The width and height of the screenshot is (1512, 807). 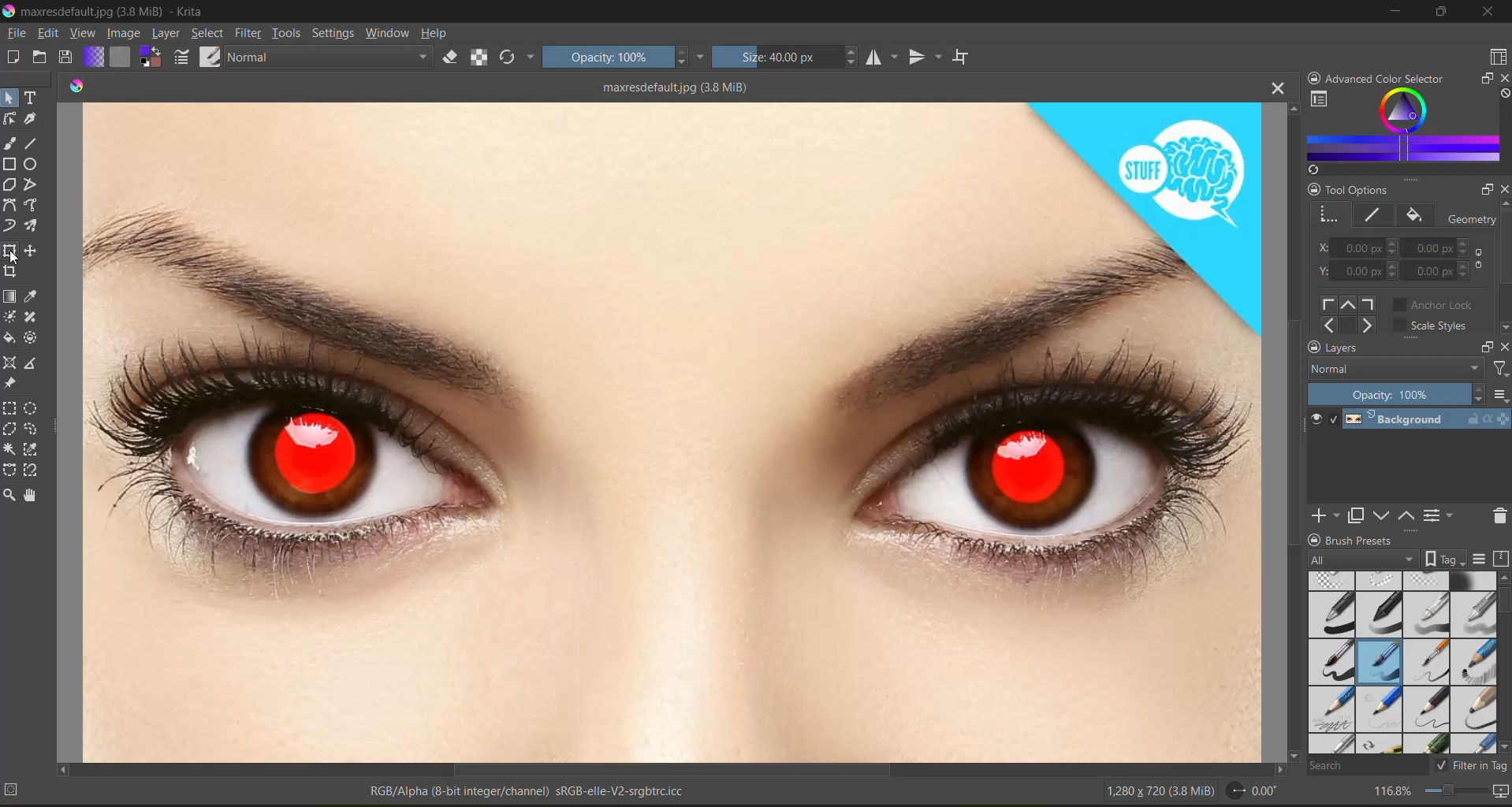 I want to click on tool, so click(x=11, y=494).